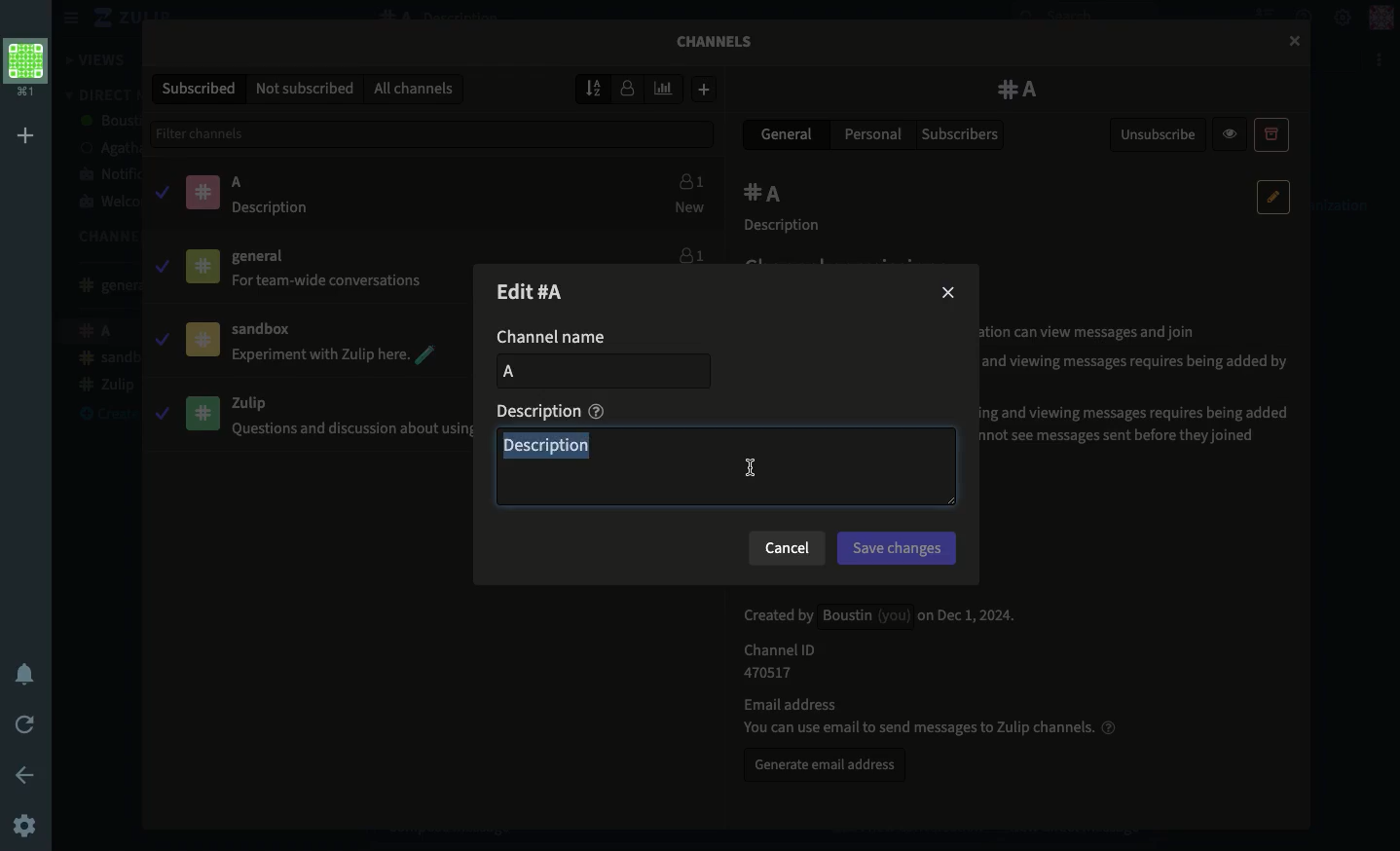 This screenshot has width=1400, height=851. What do you see at coordinates (99, 94) in the screenshot?
I see `DM` at bounding box center [99, 94].